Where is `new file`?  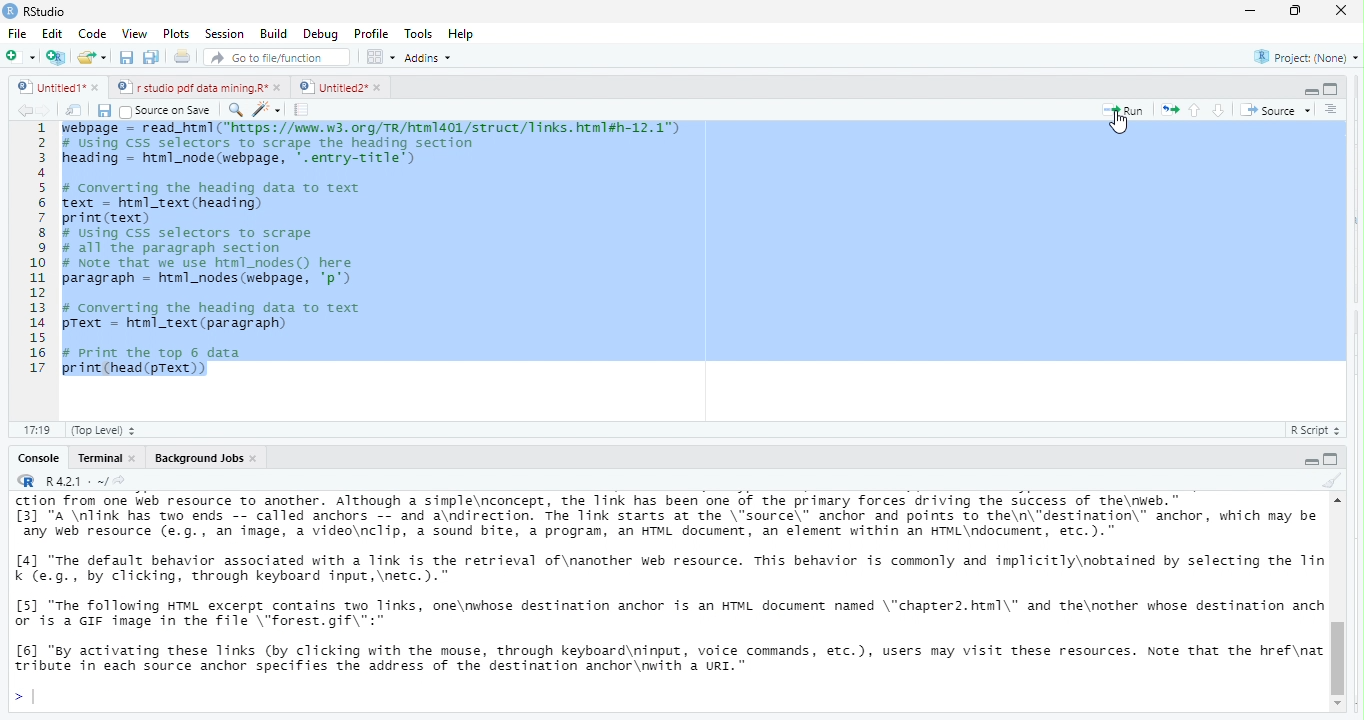 new file is located at coordinates (20, 56).